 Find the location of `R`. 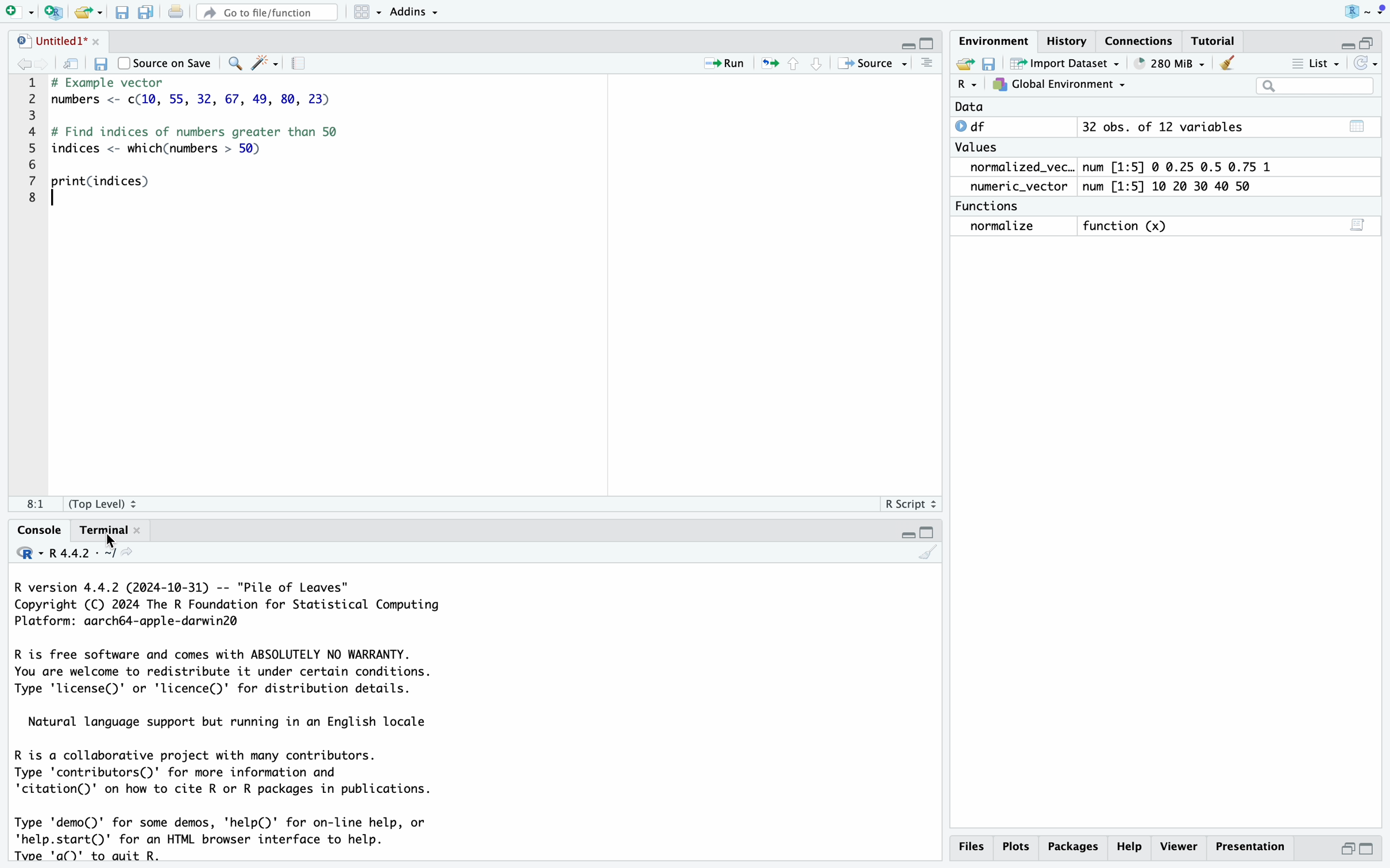

R is located at coordinates (1357, 10).